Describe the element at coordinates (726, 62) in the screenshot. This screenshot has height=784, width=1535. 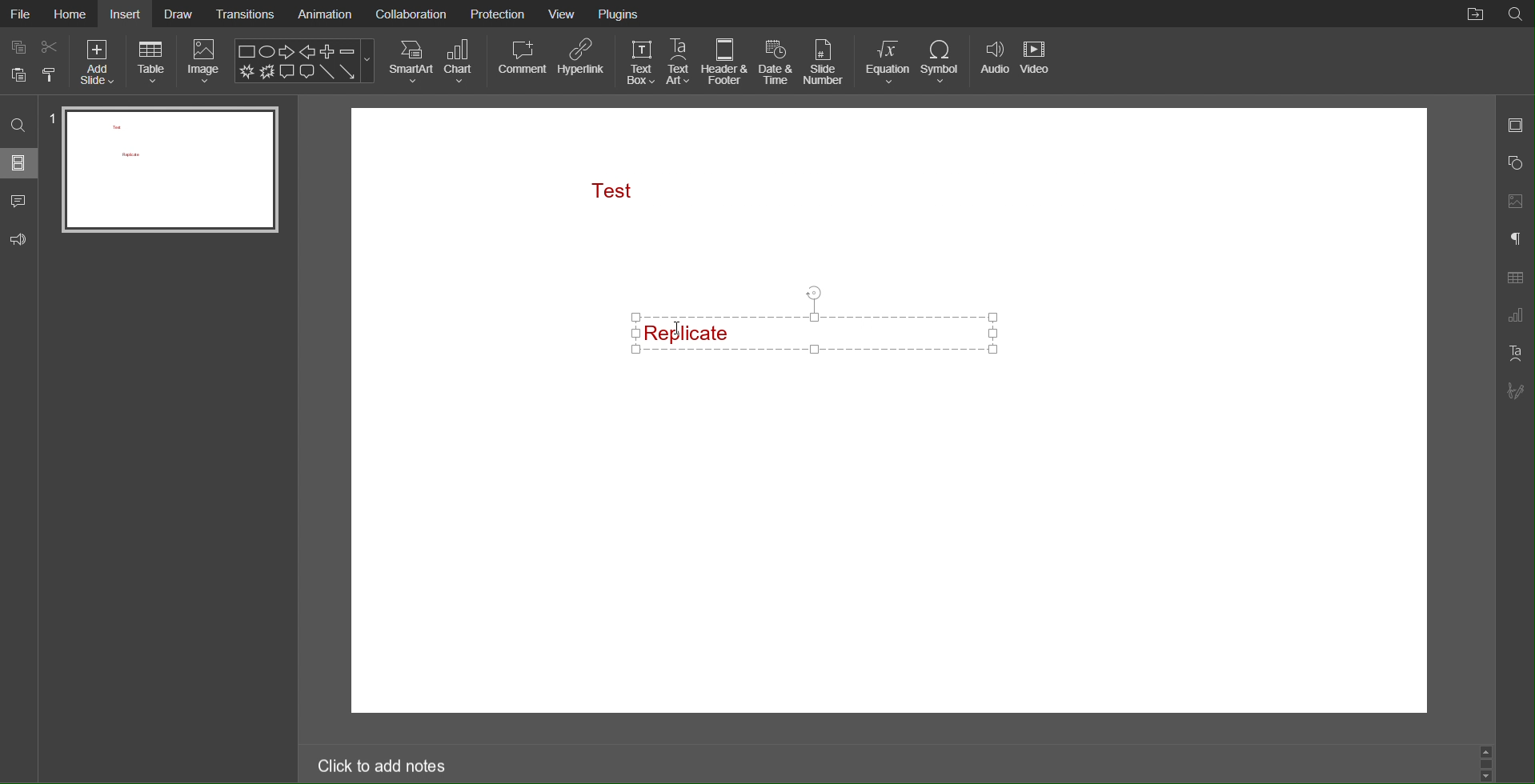
I see `Header & Footer` at that location.